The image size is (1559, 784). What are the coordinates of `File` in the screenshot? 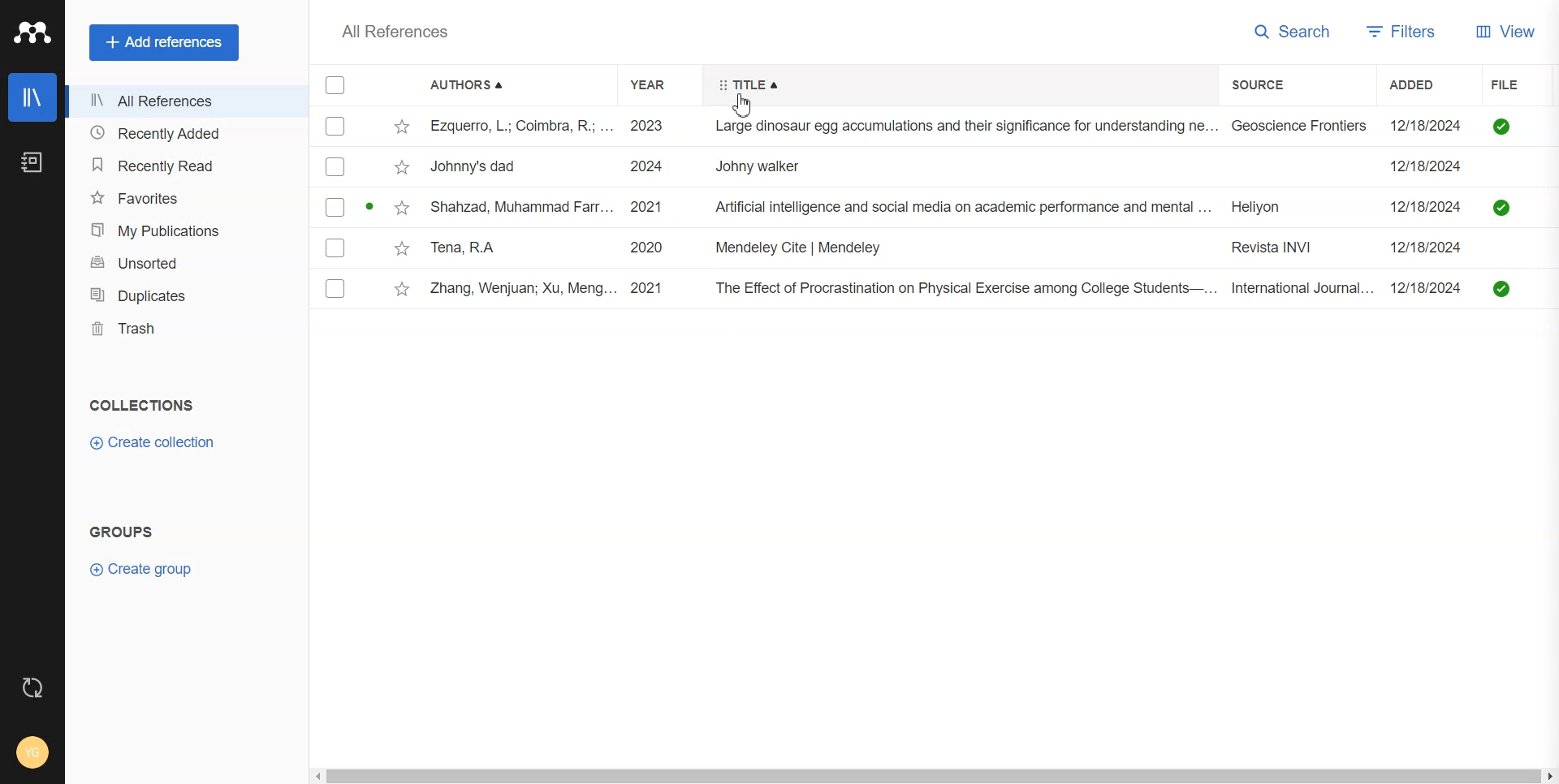 It's located at (1514, 84).